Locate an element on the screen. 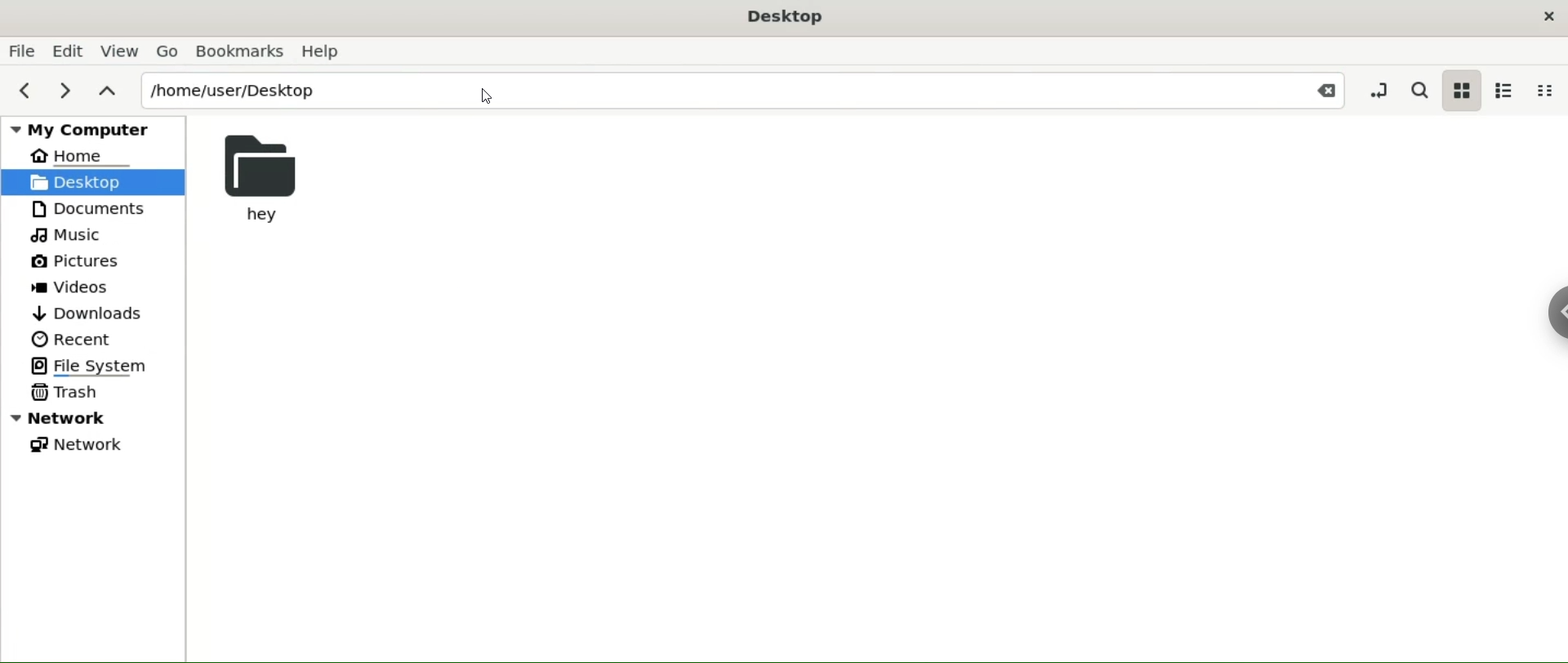 The height and width of the screenshot is (663, 1568). recent is located at coordinates (69, 339).